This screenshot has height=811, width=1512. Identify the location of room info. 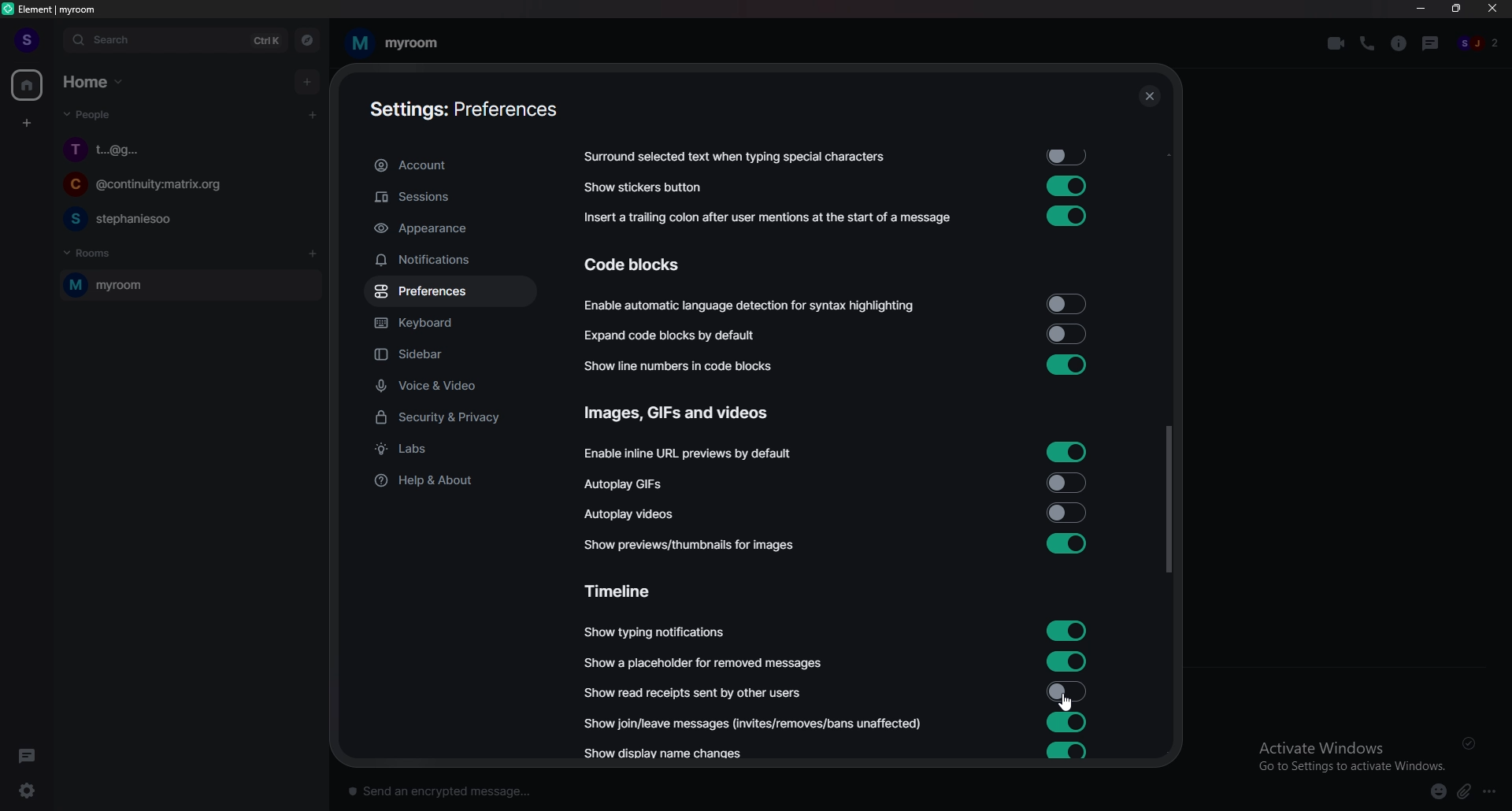
(1400, 43).